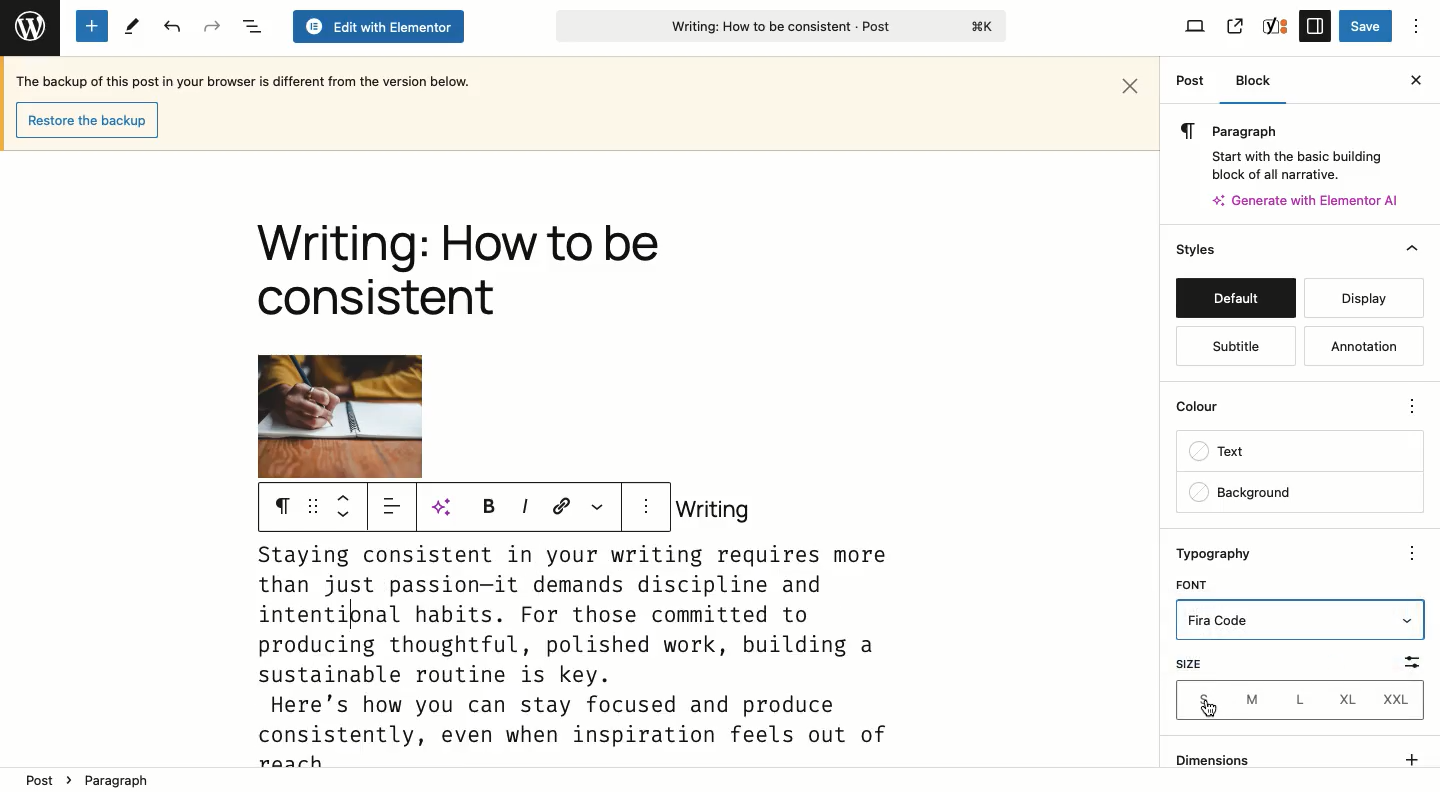  What do you see at coordinates (377, 27) in the screenshot?
I see `Edit with elementor` at bounding box center [377, 27].